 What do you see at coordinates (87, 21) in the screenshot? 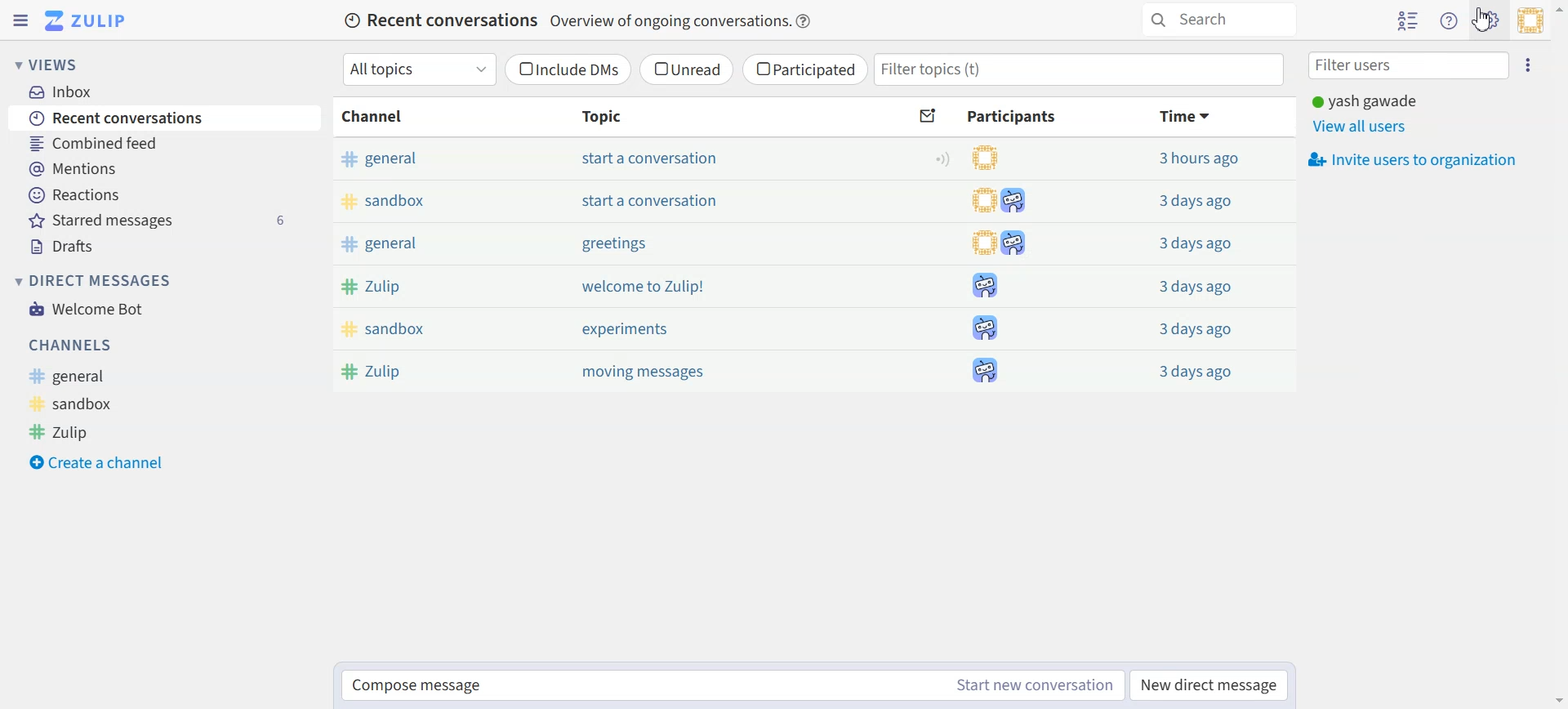
I see `Go to Home View` at bounding box center [87, 21].